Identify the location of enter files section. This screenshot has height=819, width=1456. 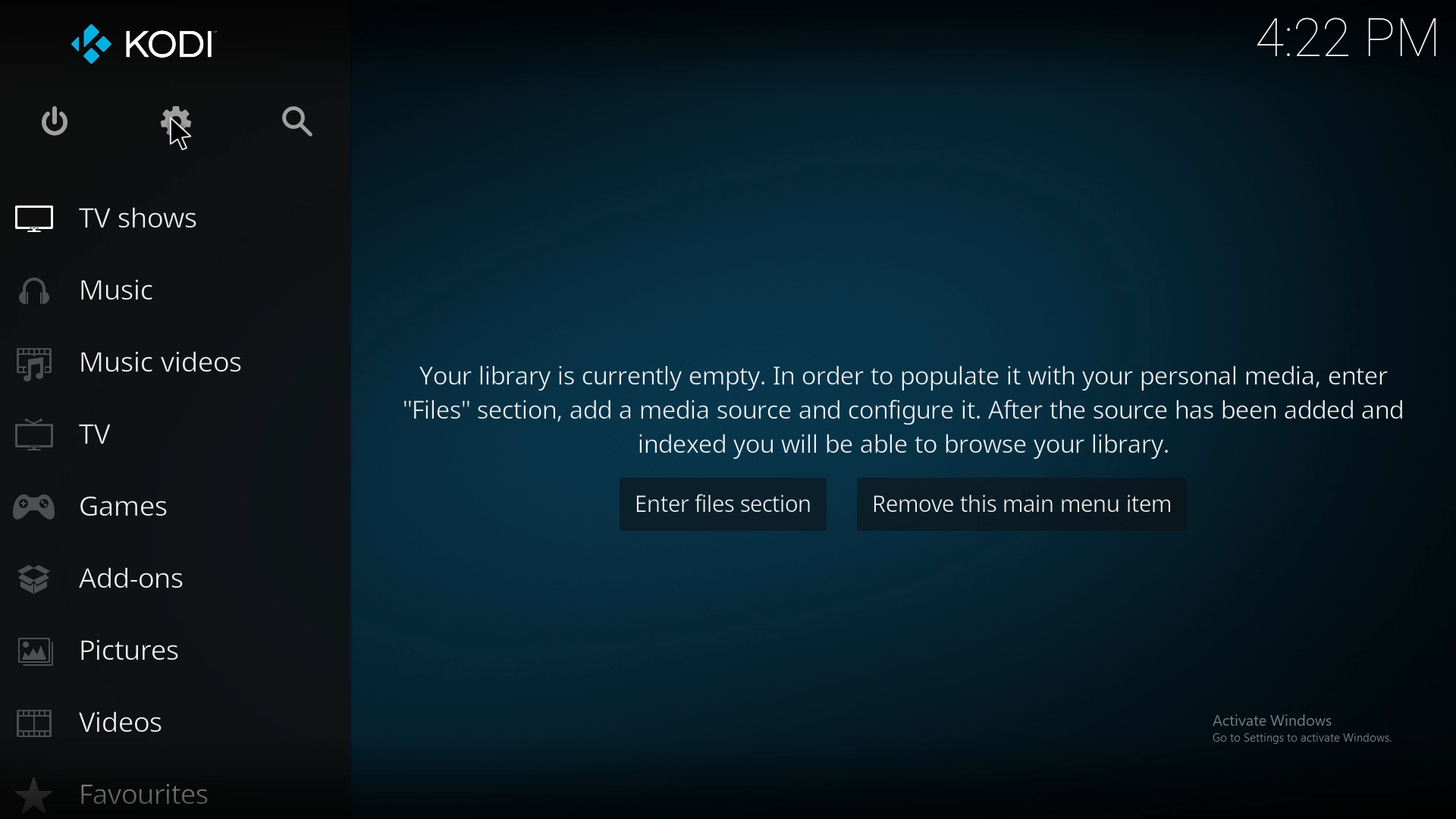
(722, 506).